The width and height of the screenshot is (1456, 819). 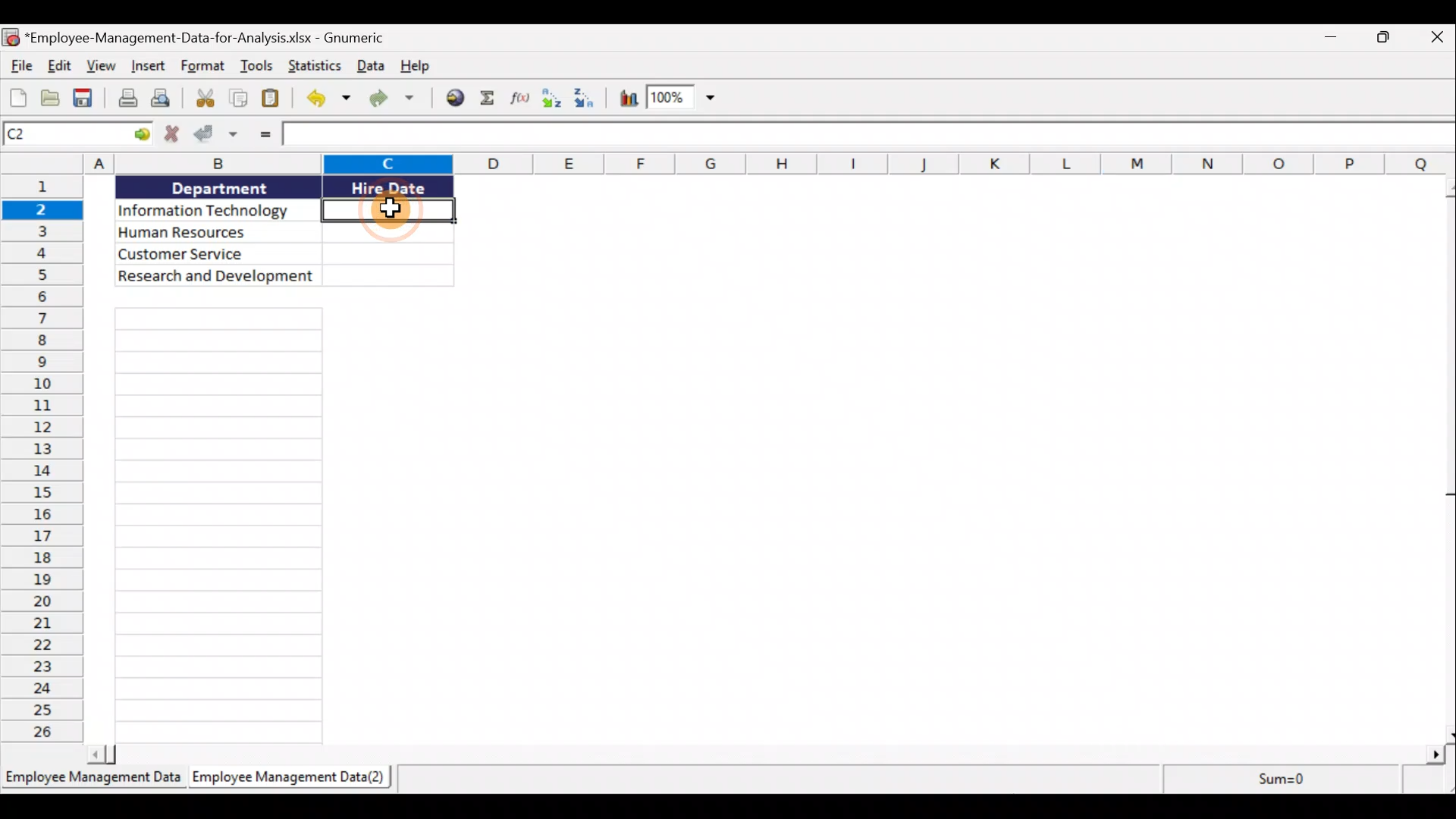 I want to click on Save the current workbook, so click(x=86, y=98).